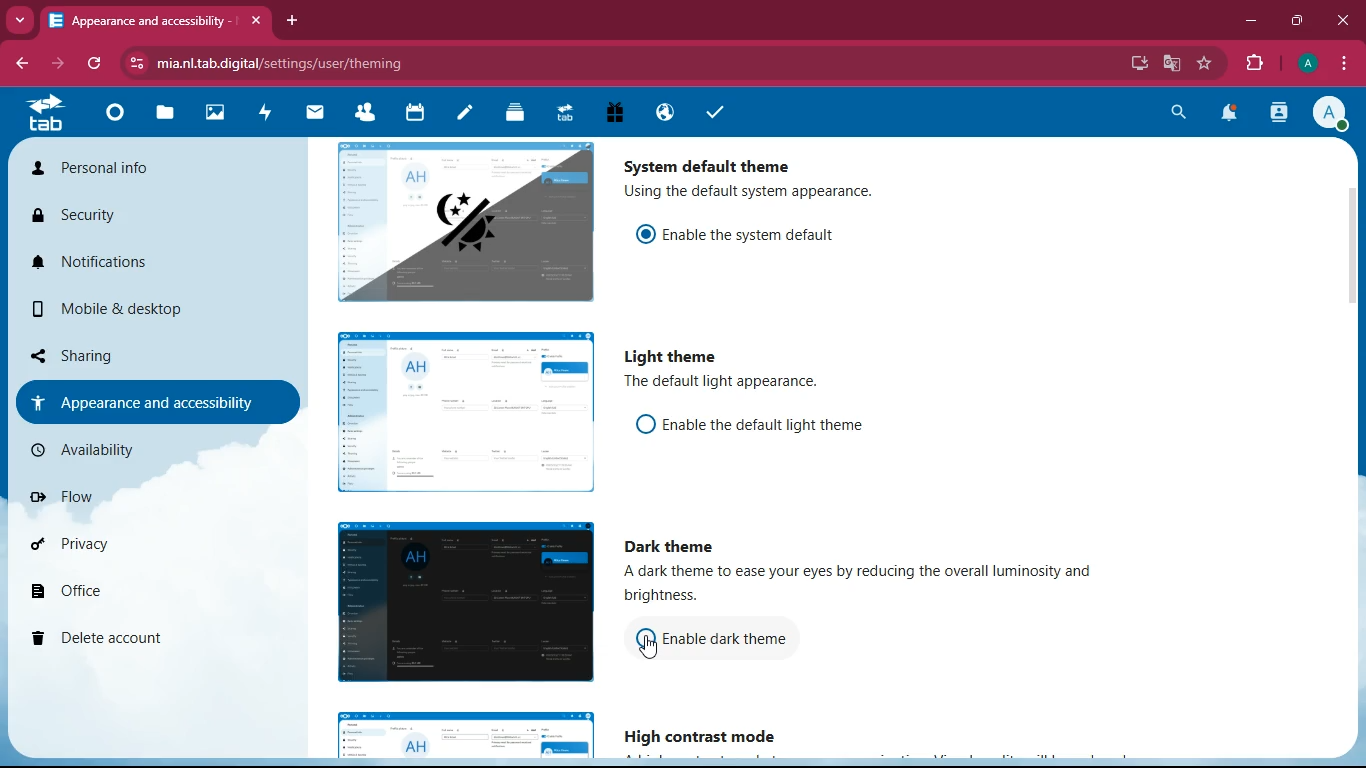 This screenshot has height=768, width=1366. I want to click on gift, so click(614, 112).